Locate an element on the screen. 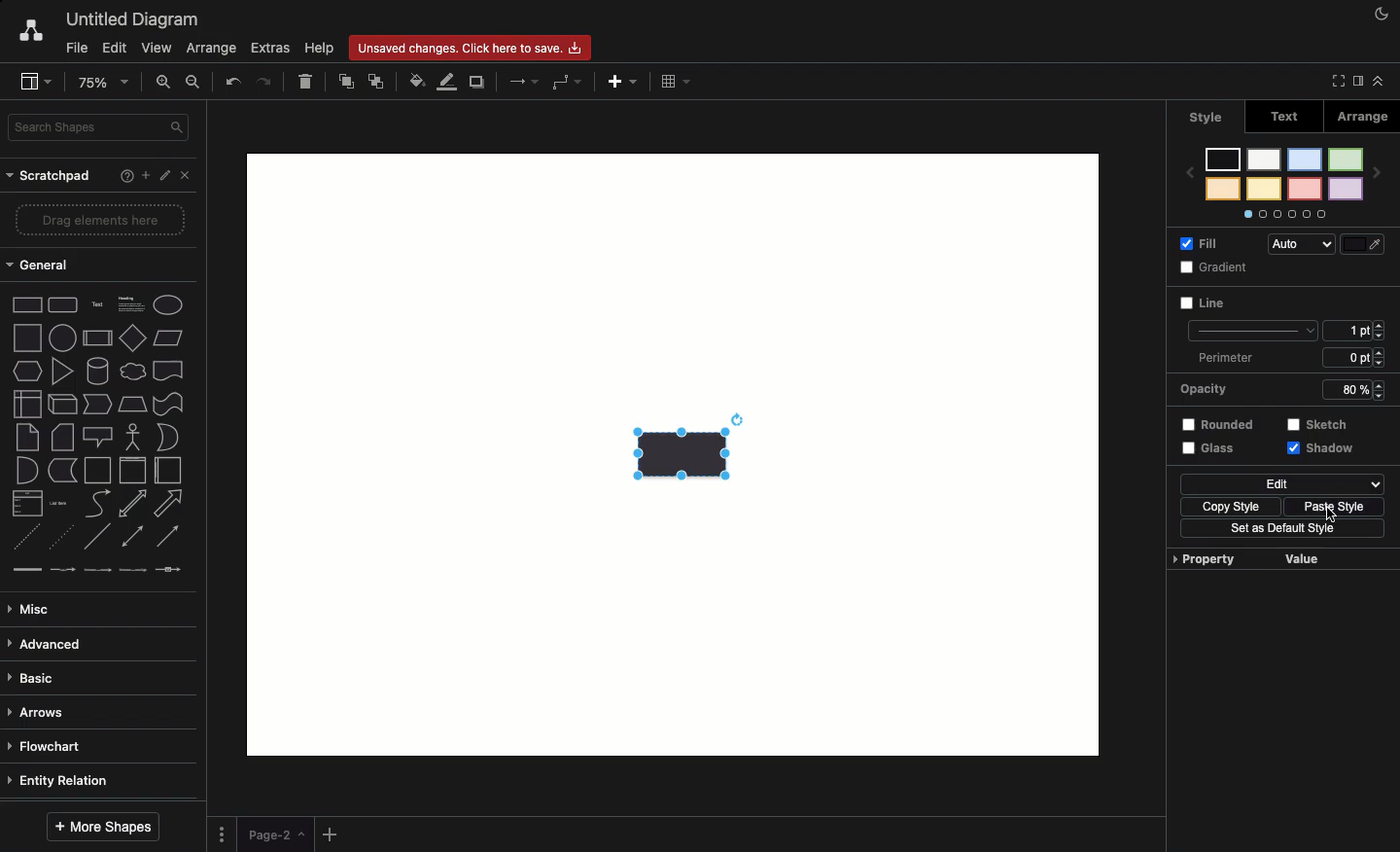 The width and height of the screenshot is (1400, 852). color 1 is located at coordinates (1346, 160).